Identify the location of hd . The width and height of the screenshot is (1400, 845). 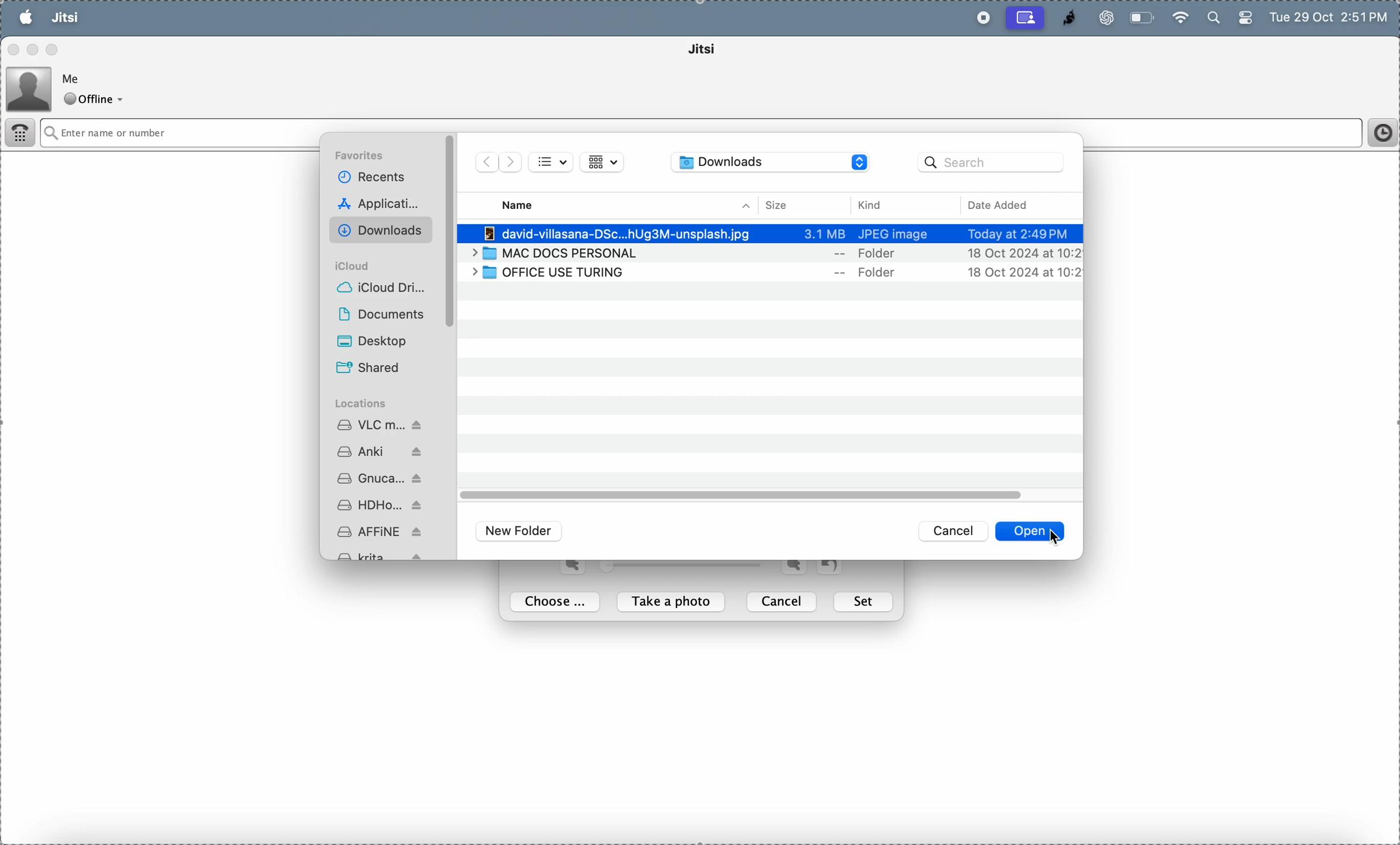
(382, 507).